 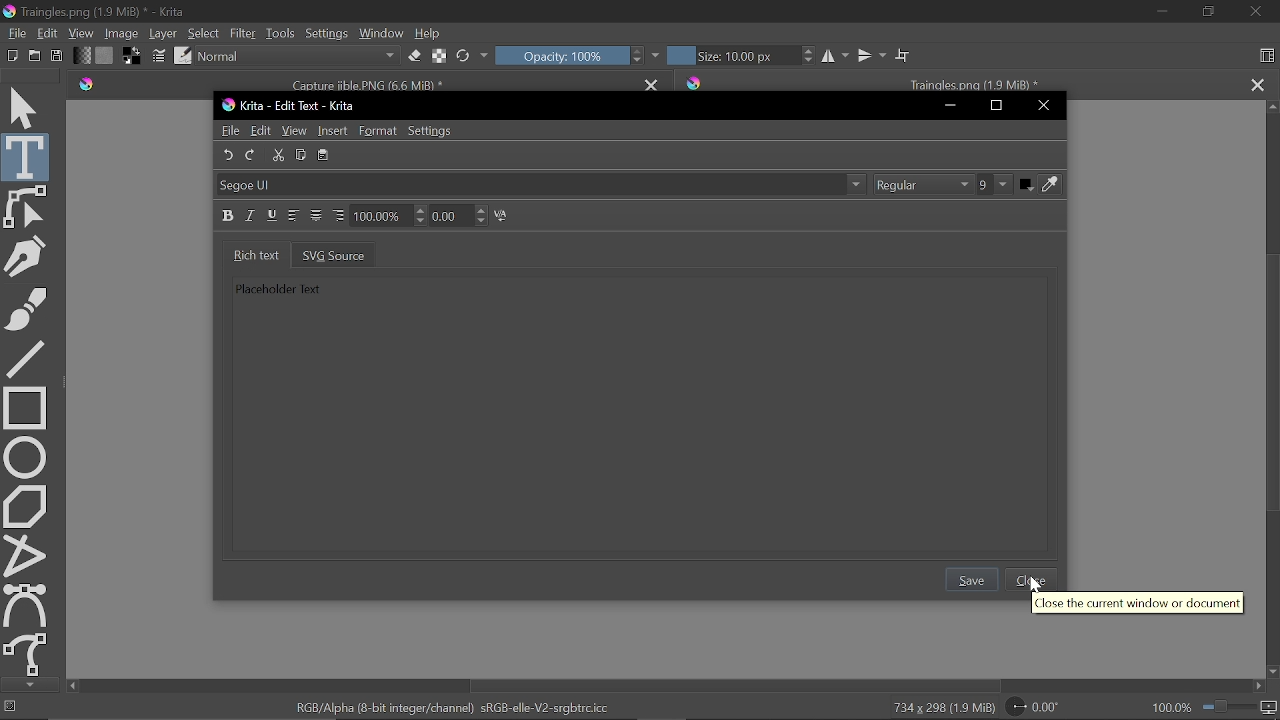 What do you see at coordinates (871, 56) in the screenshot?
I see `vertical mirror tool` at bounding box center [871, 56].